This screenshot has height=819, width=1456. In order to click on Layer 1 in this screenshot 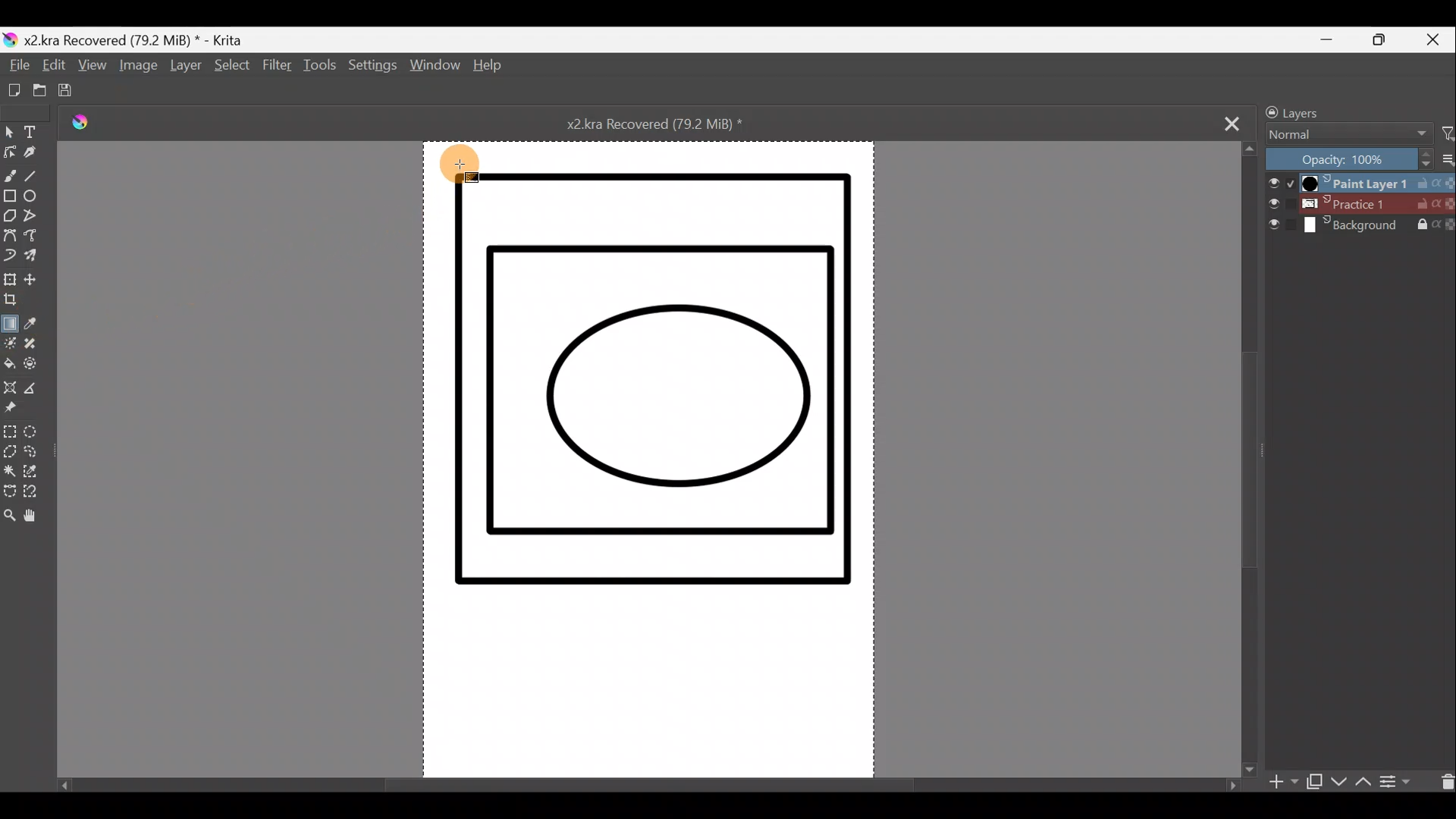, I will do `click(1357, 181)`.